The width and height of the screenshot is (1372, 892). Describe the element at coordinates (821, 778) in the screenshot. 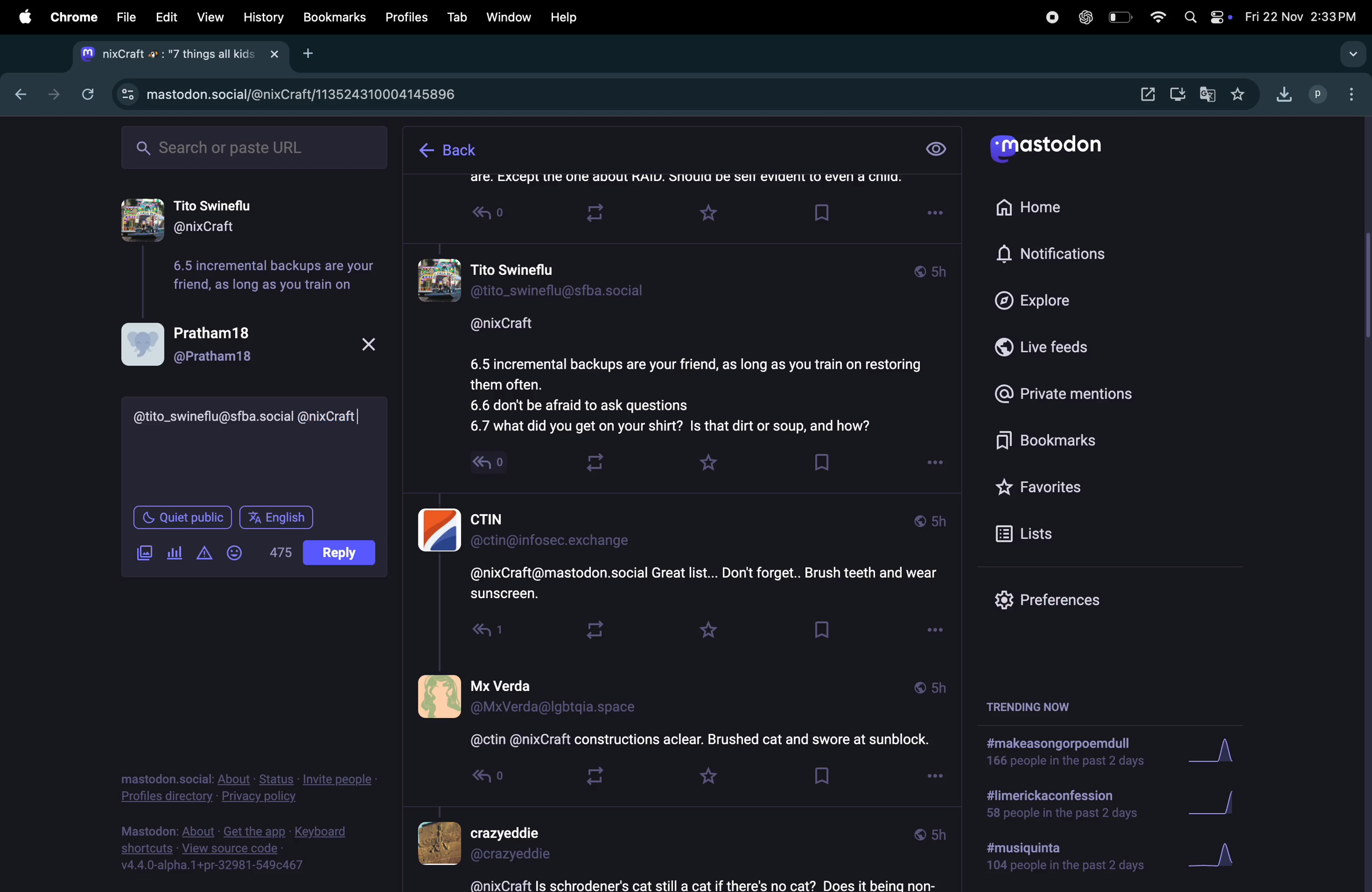

I see `Bookmark` at that location.